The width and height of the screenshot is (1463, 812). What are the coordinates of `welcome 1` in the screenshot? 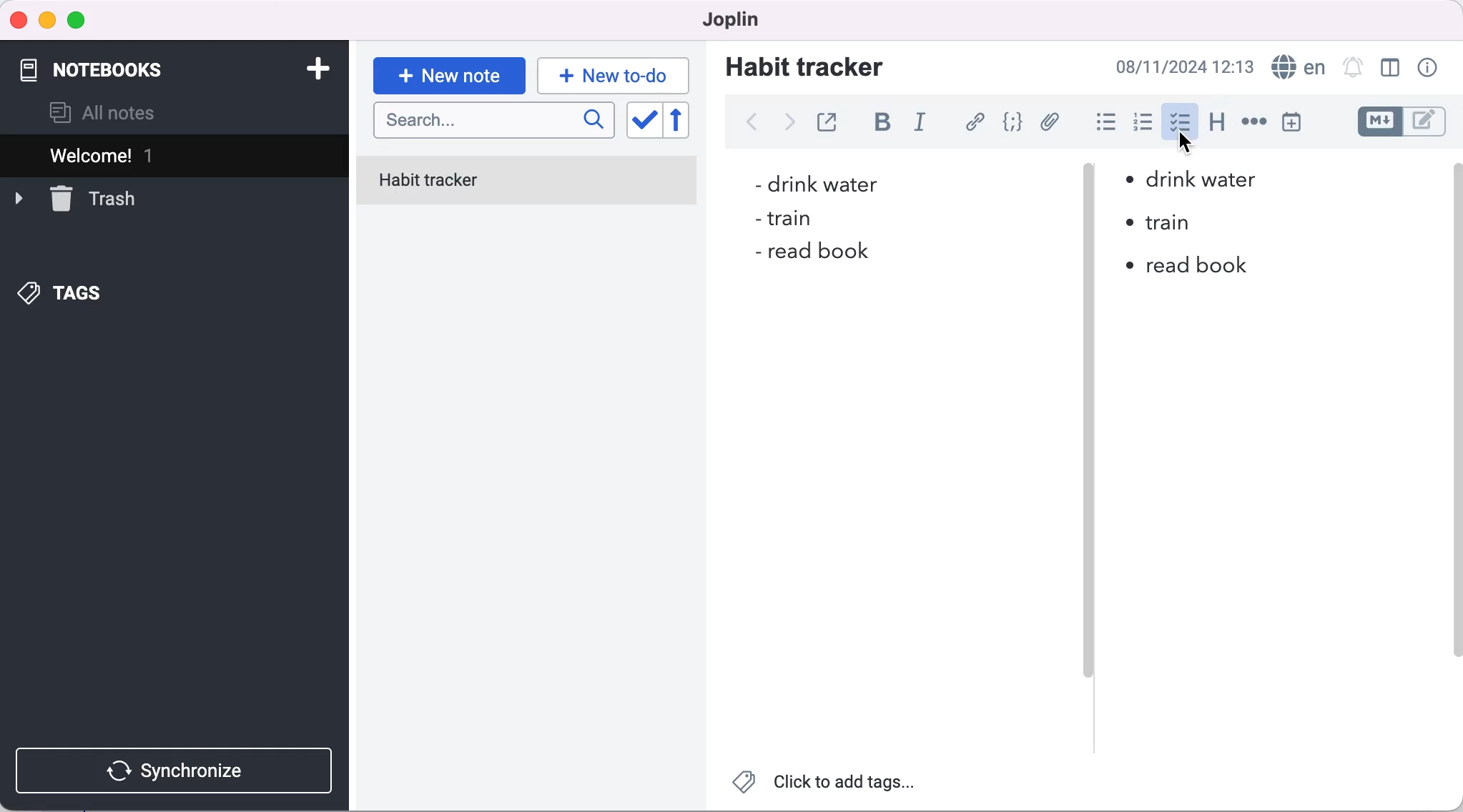 It's located at (177, 155).